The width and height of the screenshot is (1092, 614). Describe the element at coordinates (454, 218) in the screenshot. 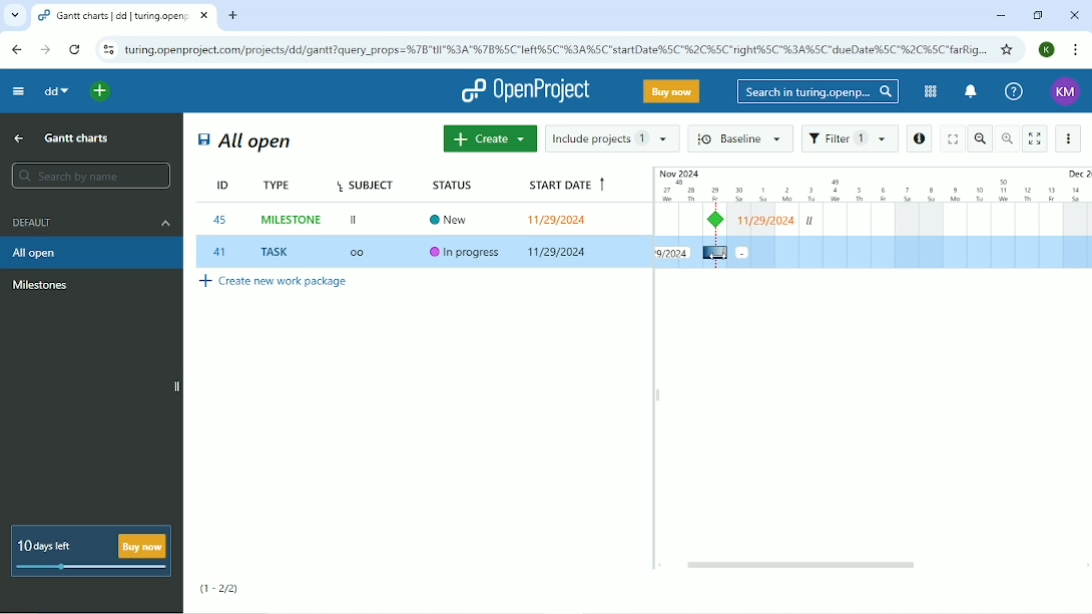

I see `New` at that location.